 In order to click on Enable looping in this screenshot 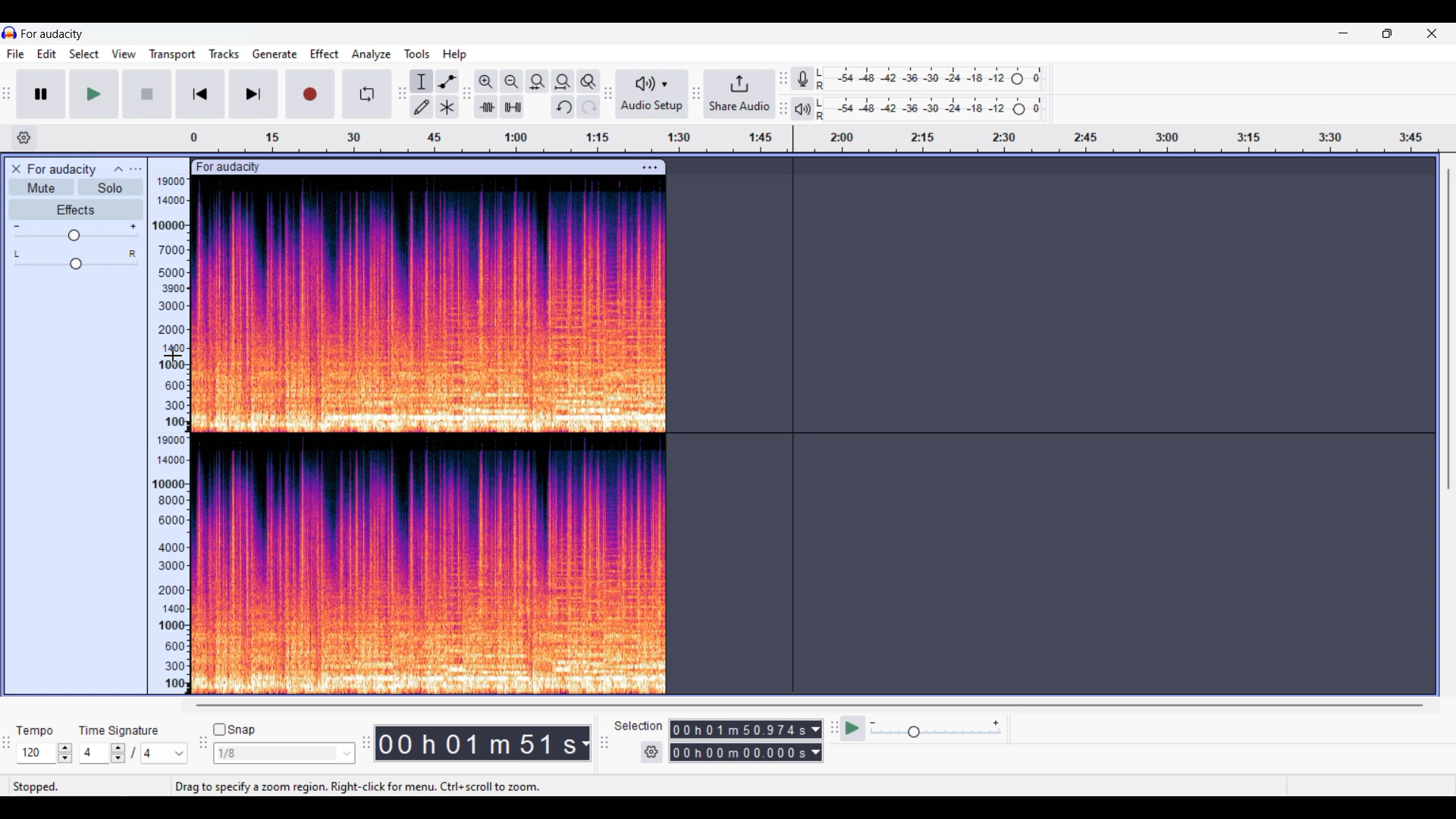, I will do `click(366, 94)`.